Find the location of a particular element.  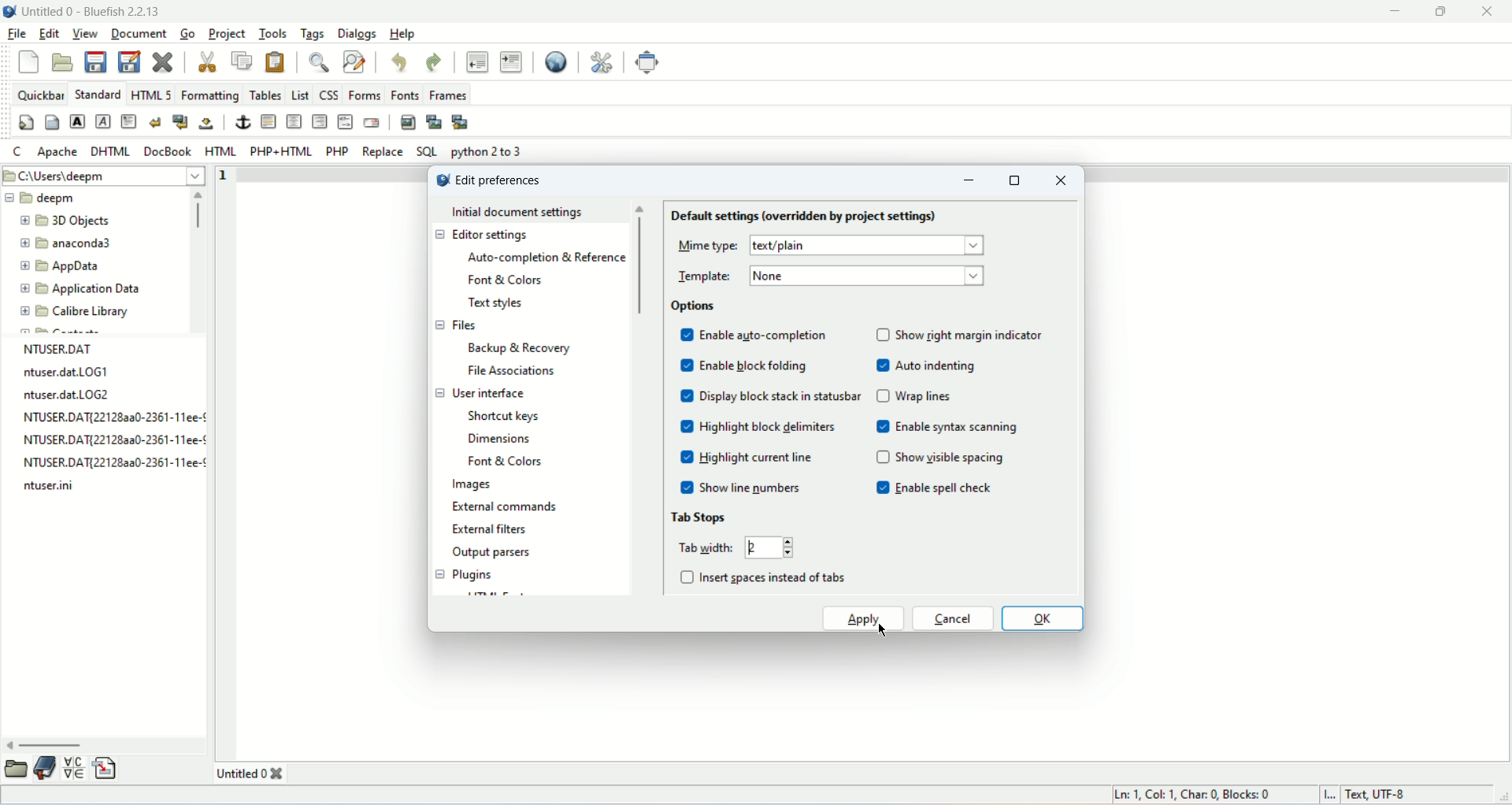

HTML is located at coordinates (220, 151).